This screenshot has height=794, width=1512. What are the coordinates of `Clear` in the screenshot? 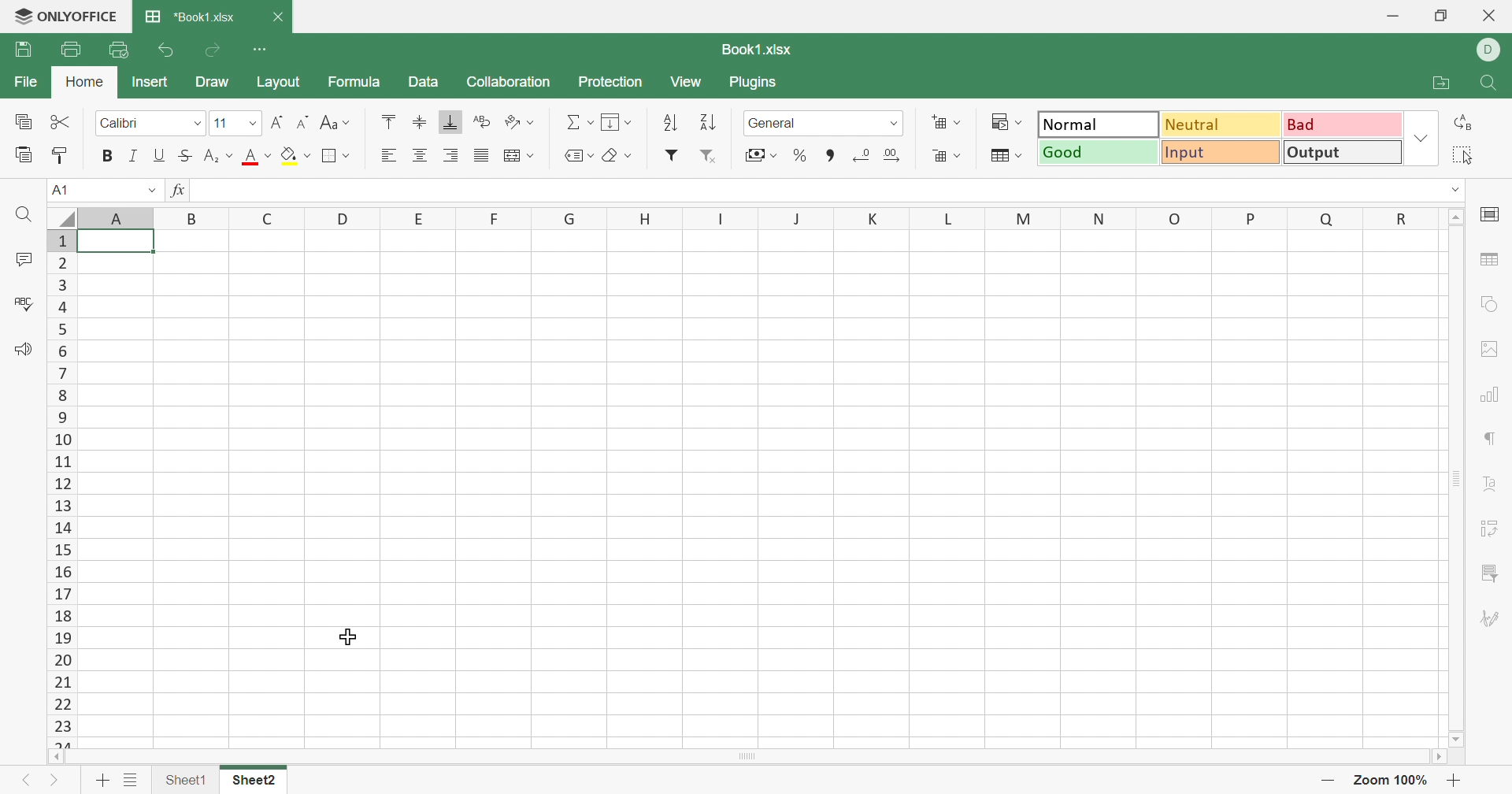 It's located at (622, 154).